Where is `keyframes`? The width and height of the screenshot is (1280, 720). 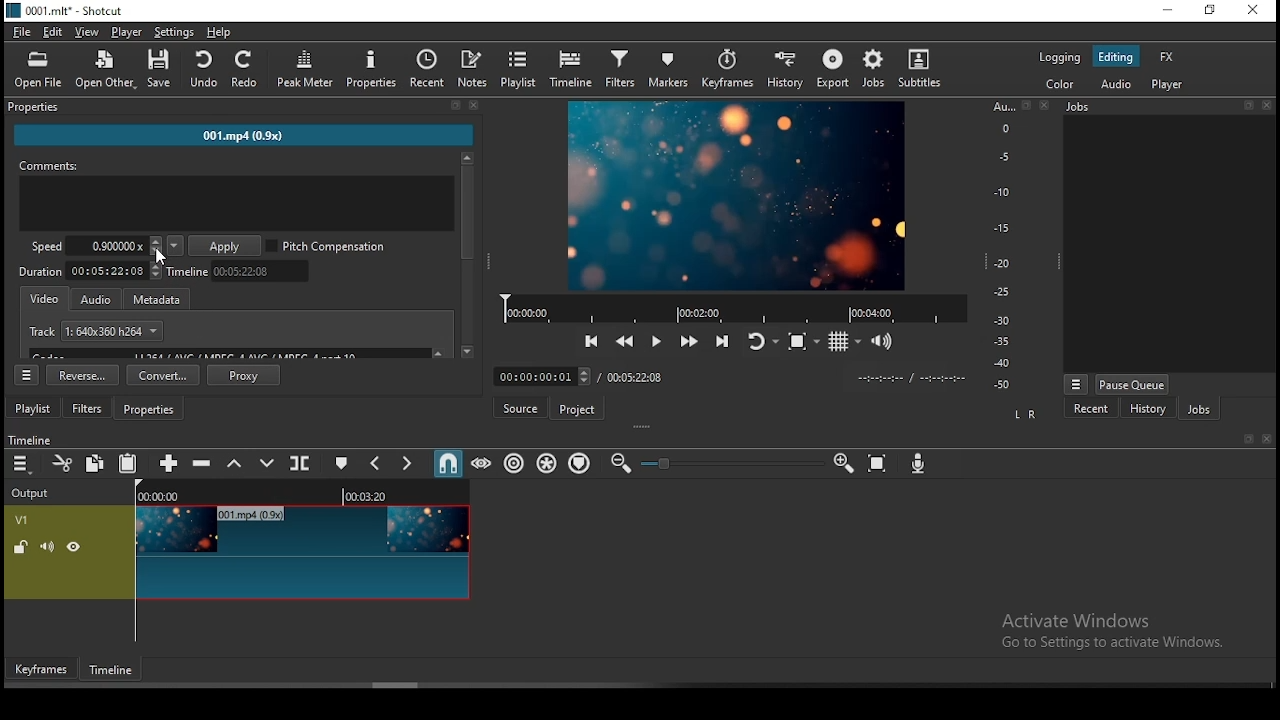 keyframes is located at coordinates (43, 669).